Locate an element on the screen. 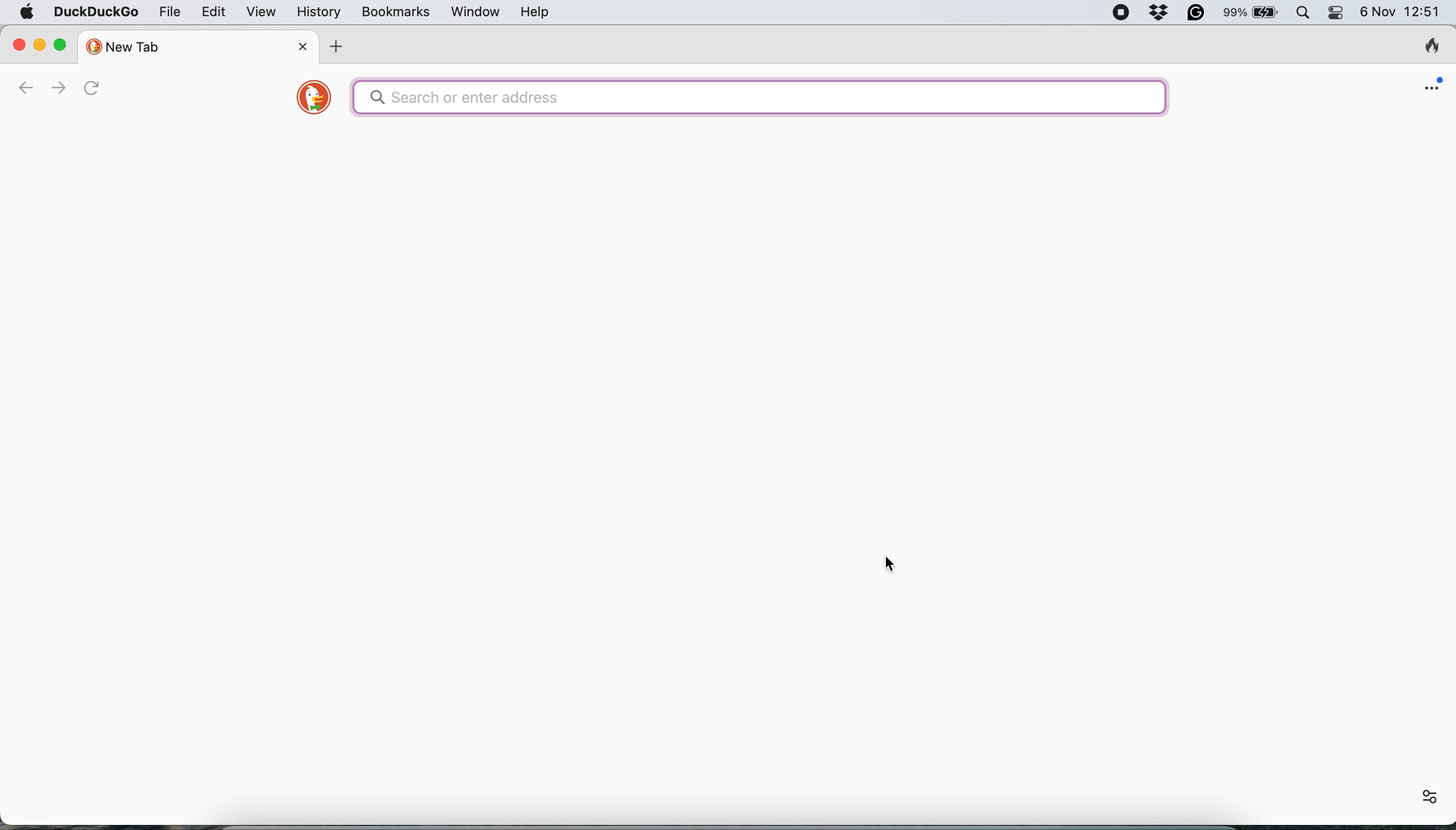 The image size is (1456, 830). spotlight search is located at coordinates (1301, 15).